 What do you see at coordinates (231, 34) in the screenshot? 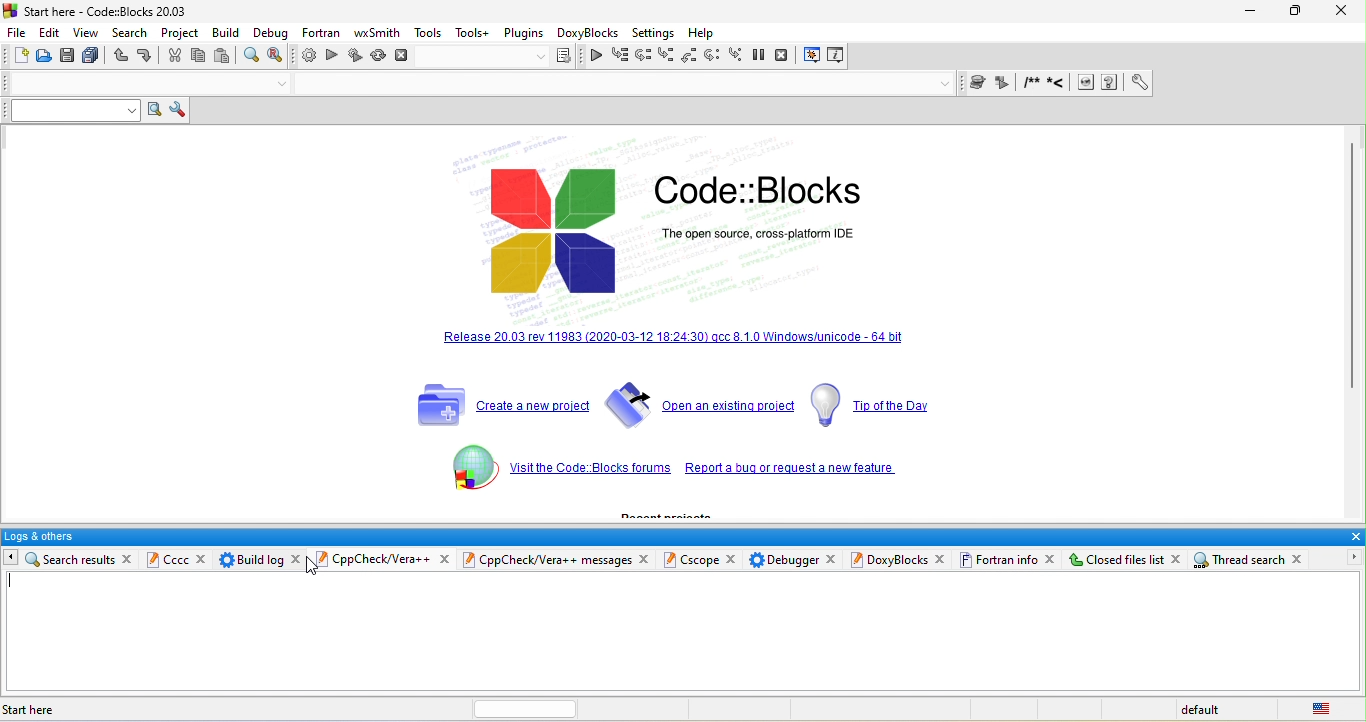
I see `build` at bounding box center [231, 34].